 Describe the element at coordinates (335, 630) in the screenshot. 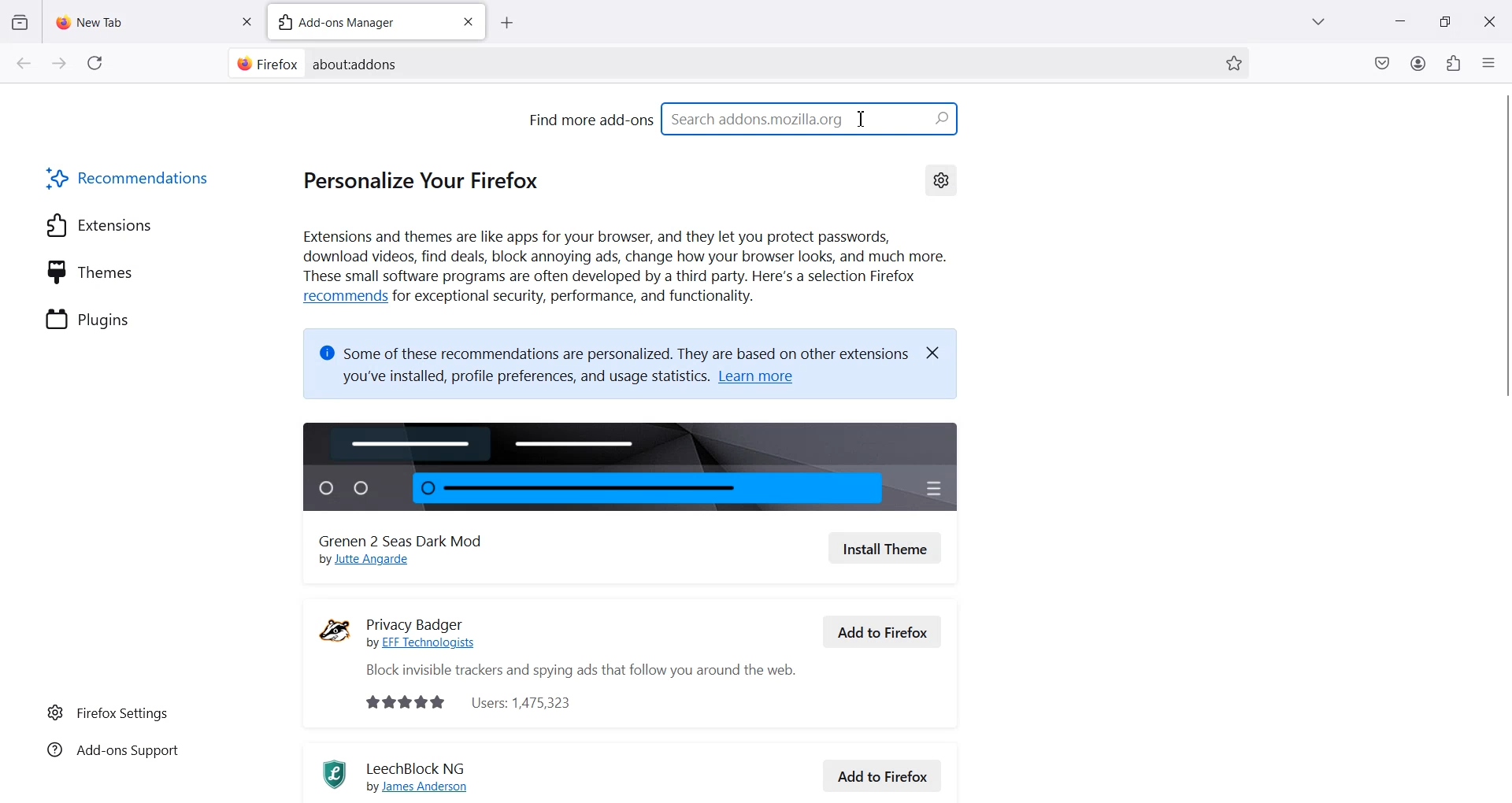

I see `Logo` at that location.